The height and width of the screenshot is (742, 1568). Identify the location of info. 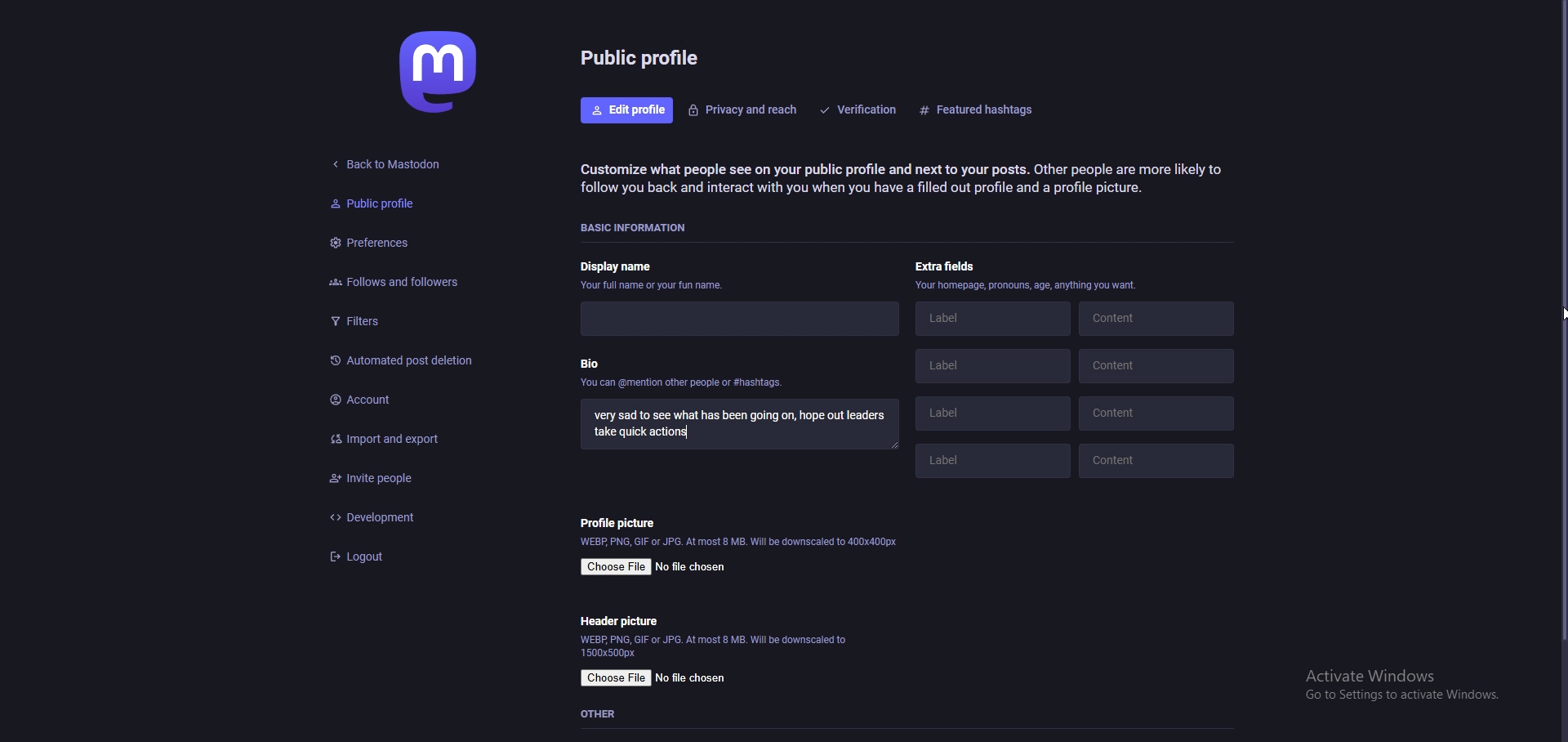
(716, 645).